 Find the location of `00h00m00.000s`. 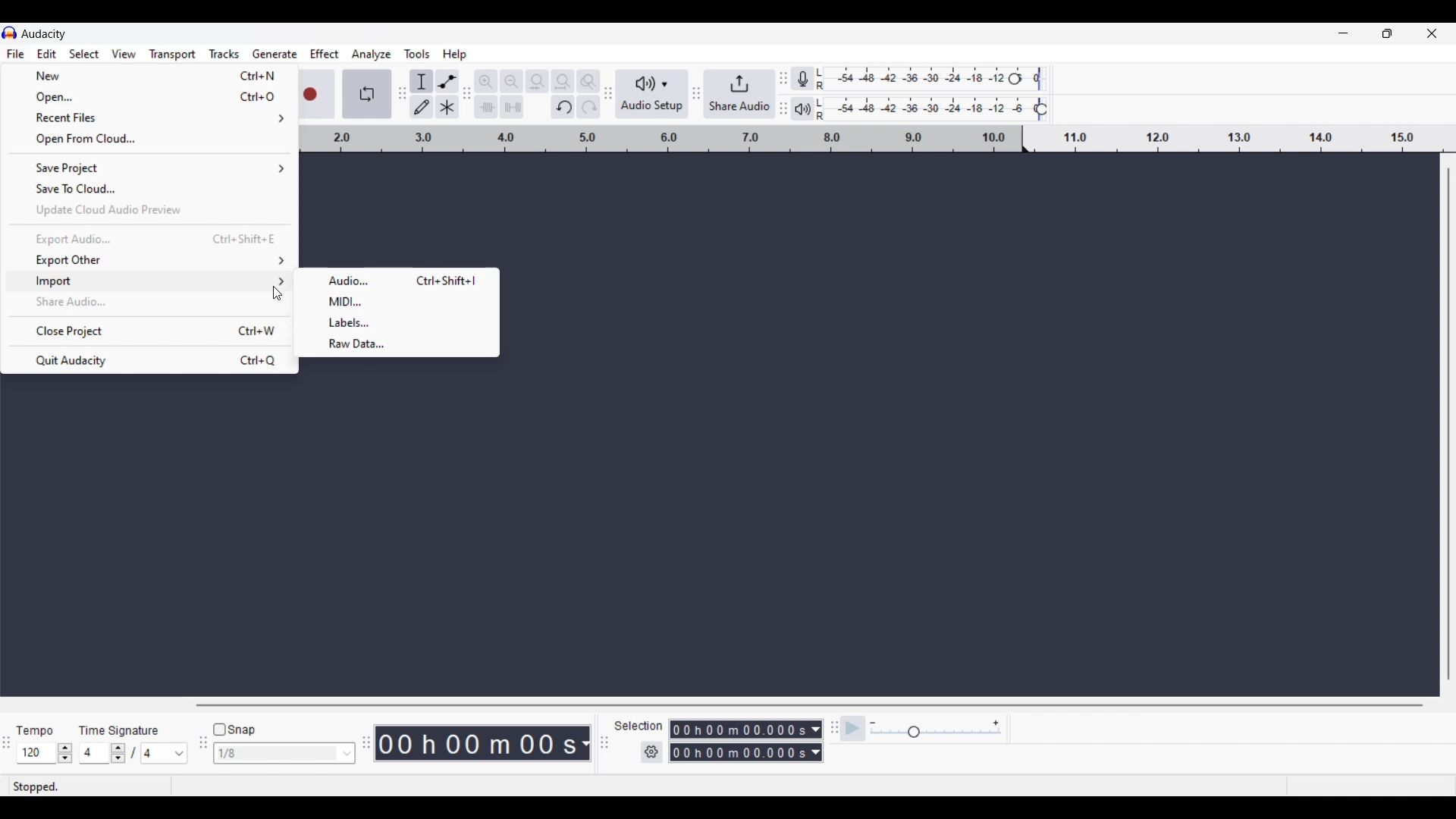

00h00m00.000s is located at coordinates (748, 727).